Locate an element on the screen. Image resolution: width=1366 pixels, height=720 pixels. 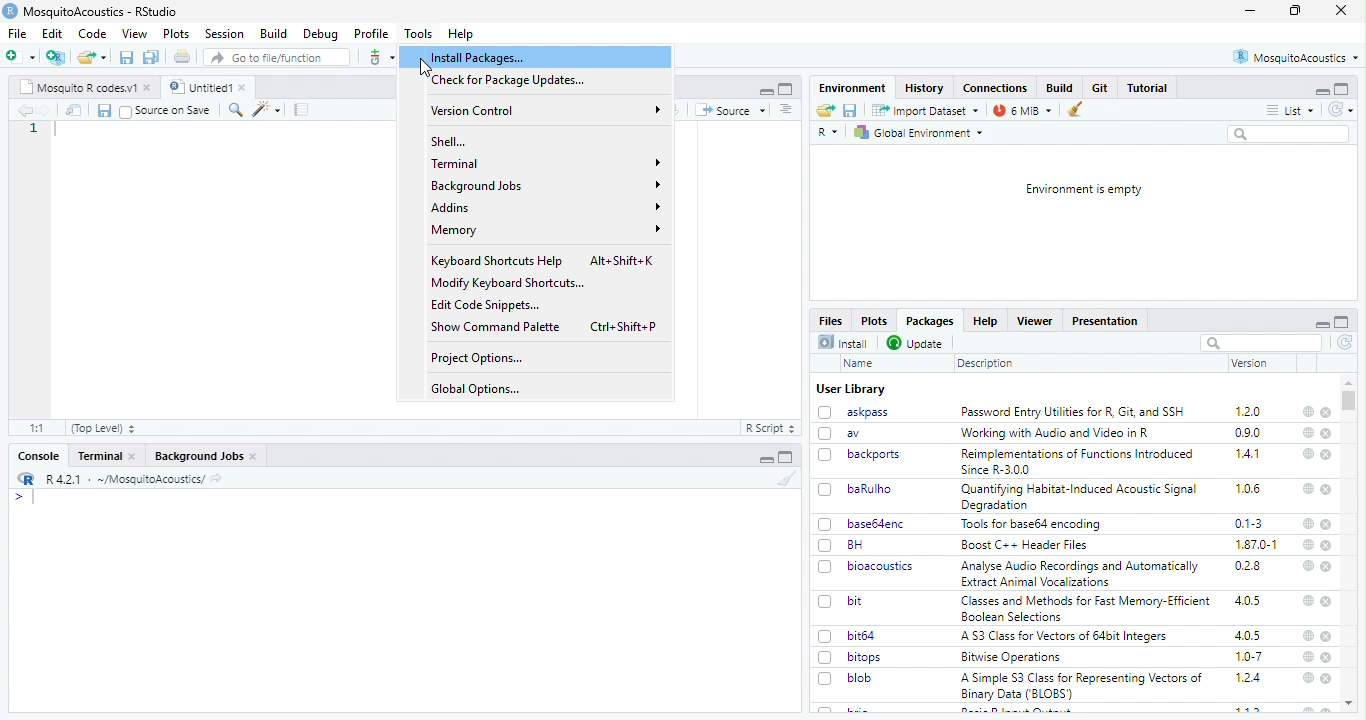
10-7 is located at coordinates (1250, 657).